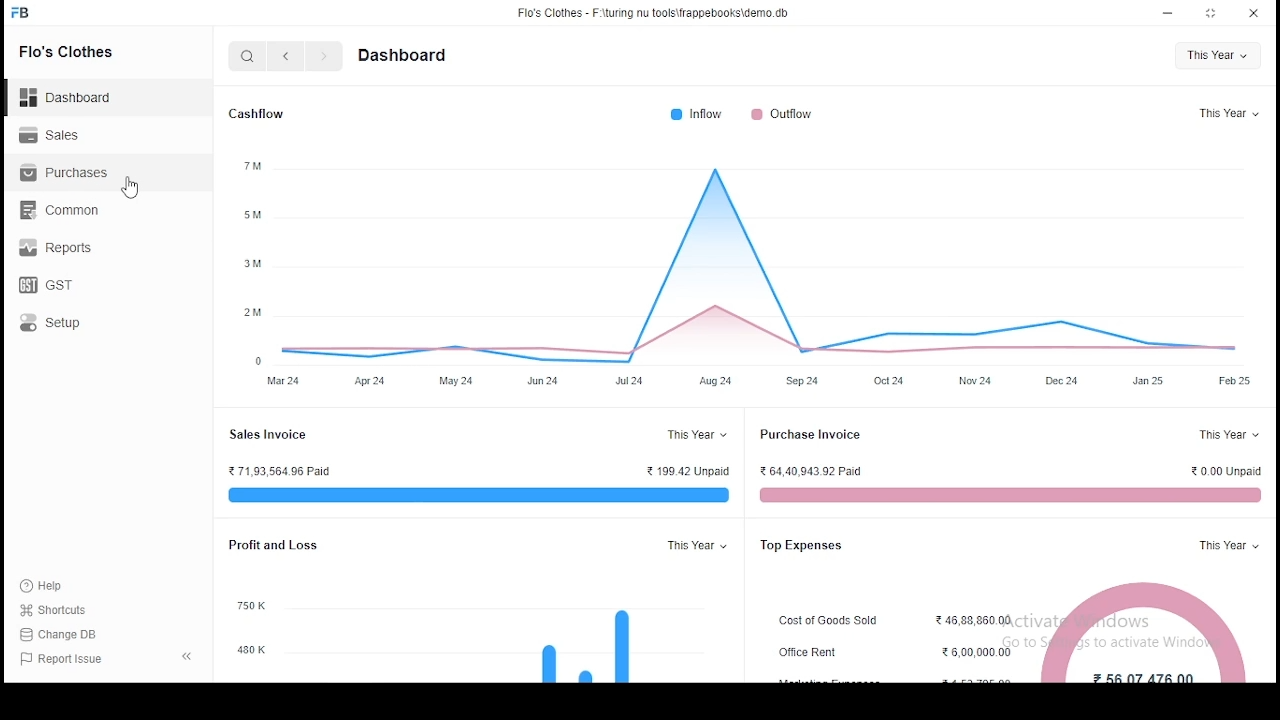  What do you see at coordinates (1007, 495) in the screenshot?
I see `purchase invoice` at bounding box center [1007, 495].